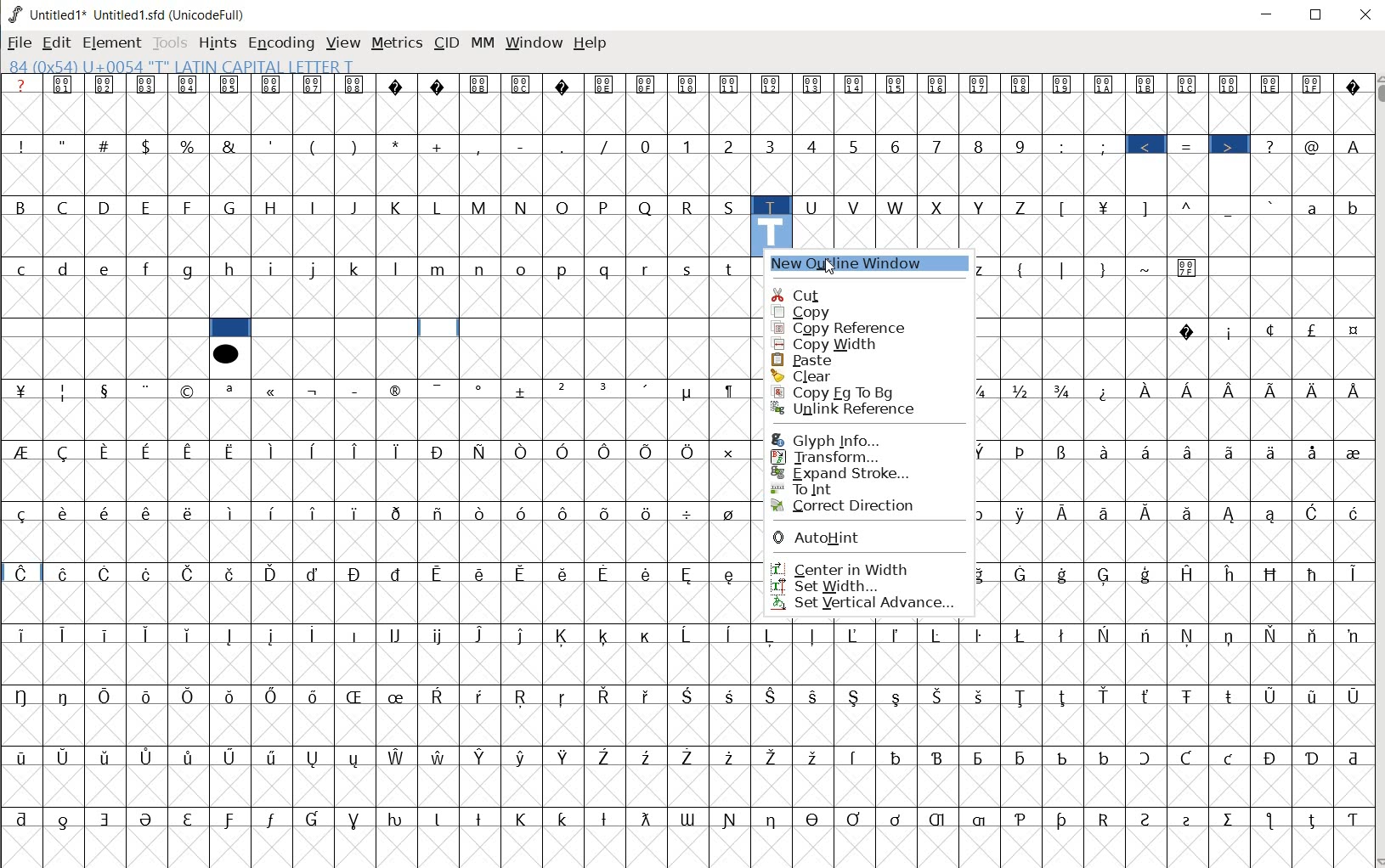 Image resolution: width=1385 pixels, height=868 pixels. I want to click on Symbol, so click(690, 695).